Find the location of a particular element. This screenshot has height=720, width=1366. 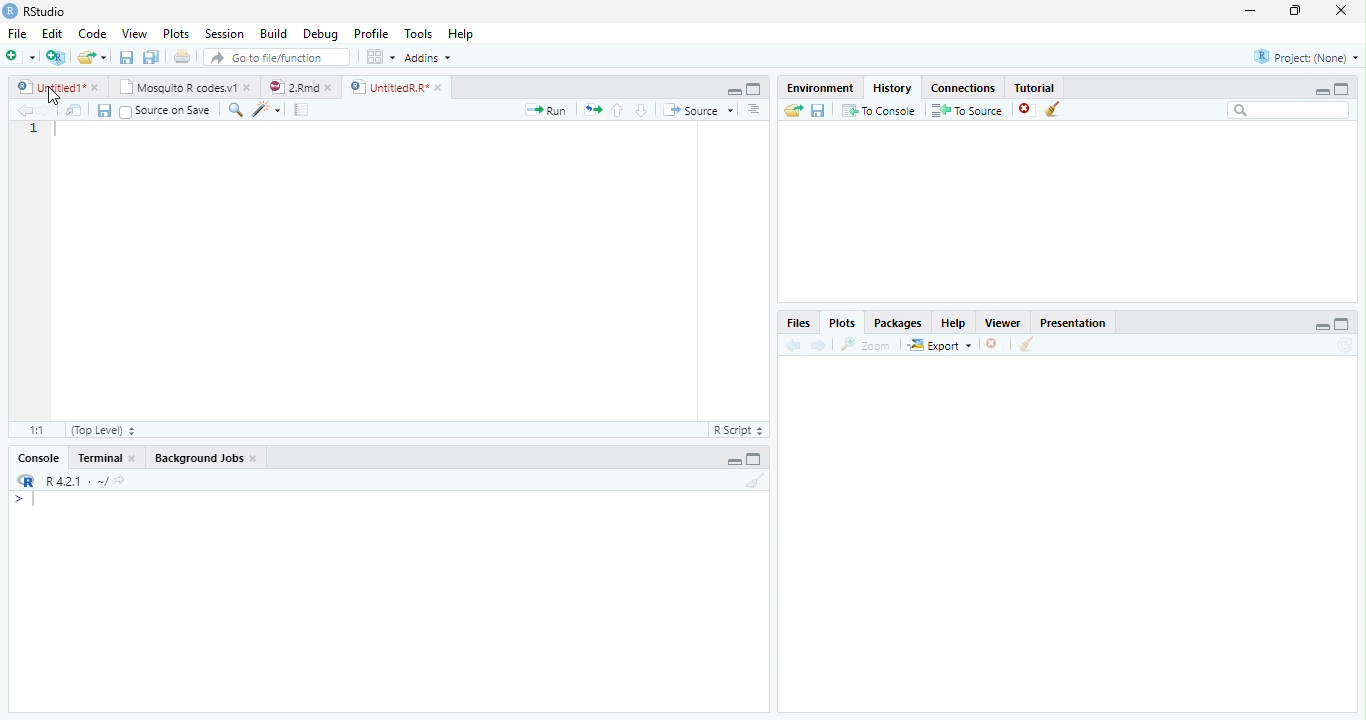

1:1 is located at coordinates (32, 433).